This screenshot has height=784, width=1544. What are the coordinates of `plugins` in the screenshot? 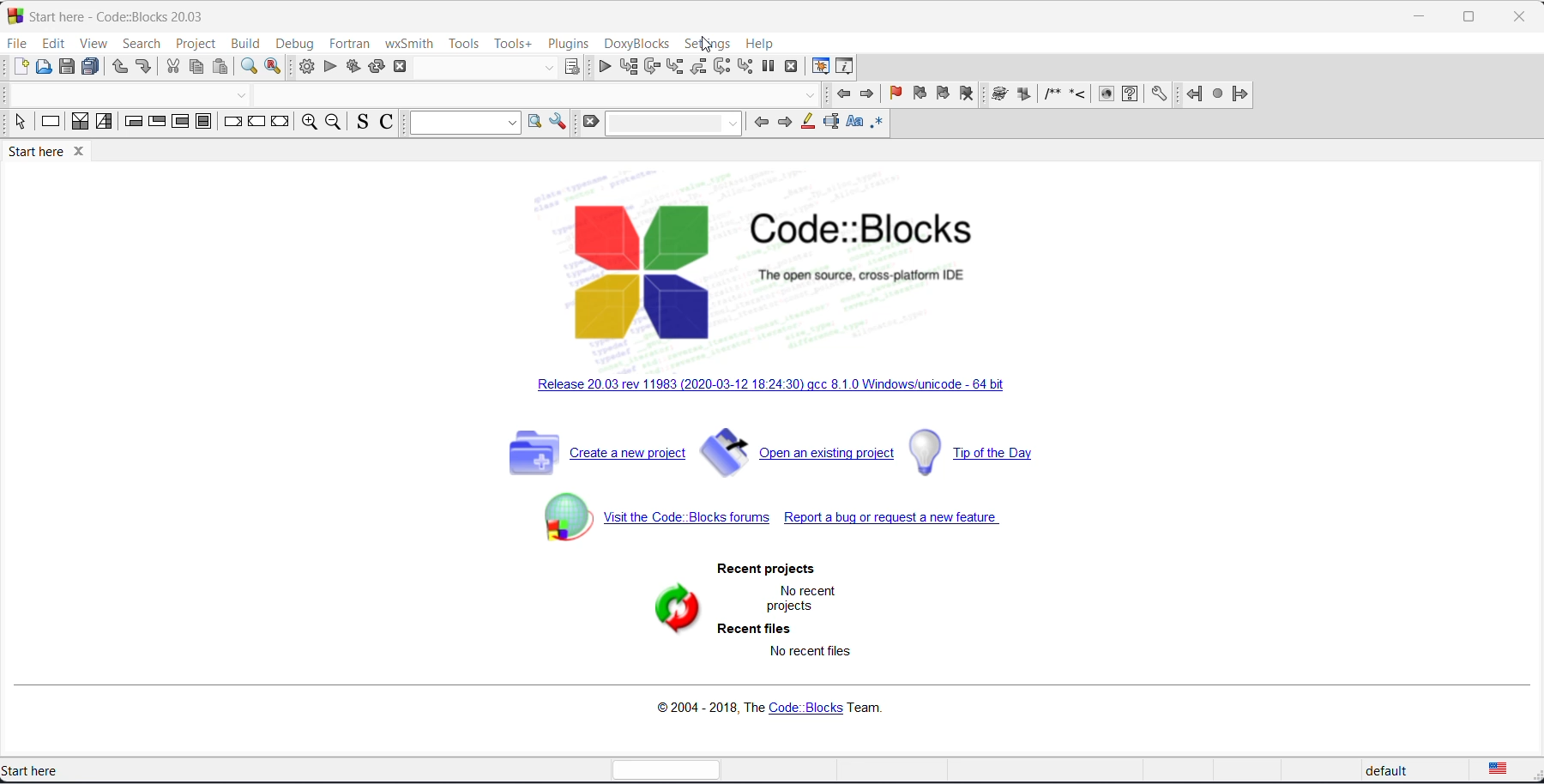 It's located at (569, 43).